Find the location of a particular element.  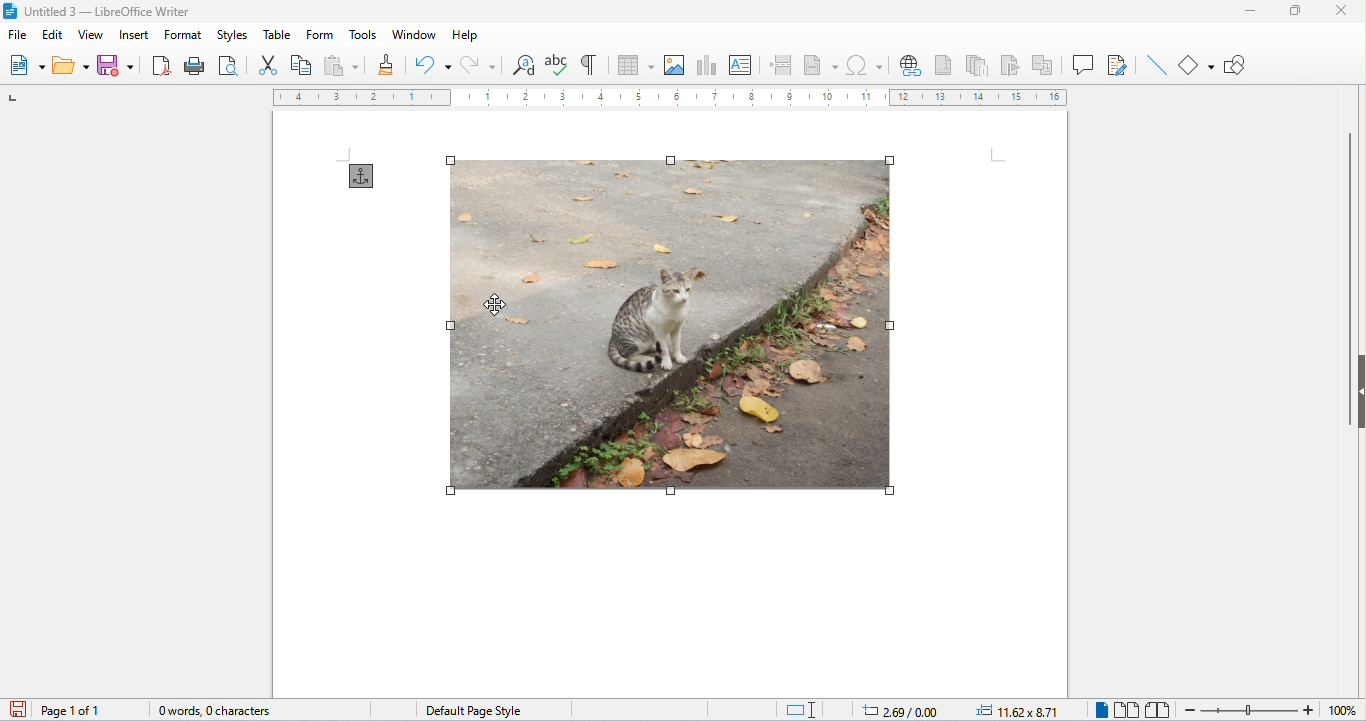

window is located at coordinates (414, 35).